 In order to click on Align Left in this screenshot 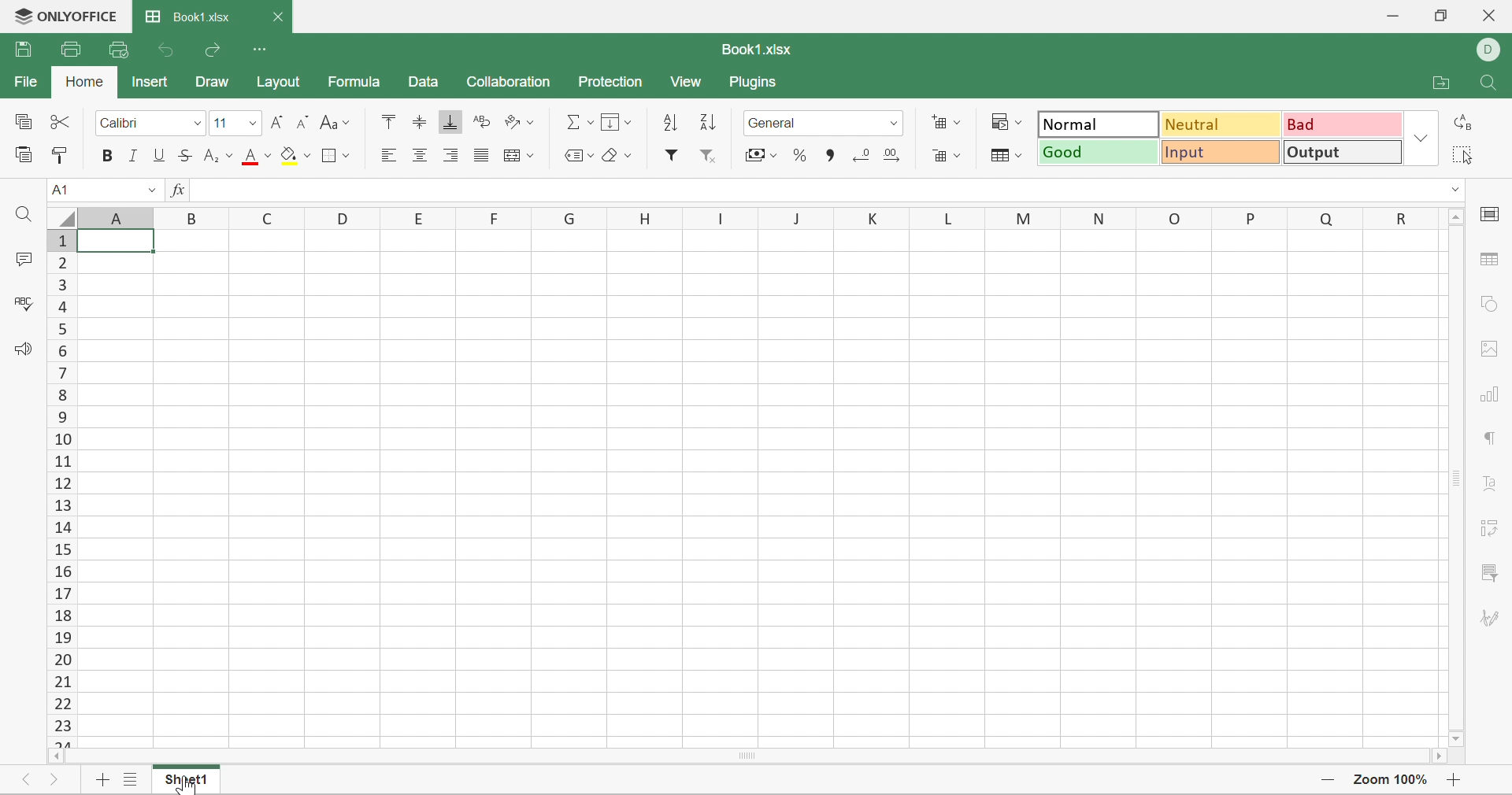, I will do `click(391, 154)`.